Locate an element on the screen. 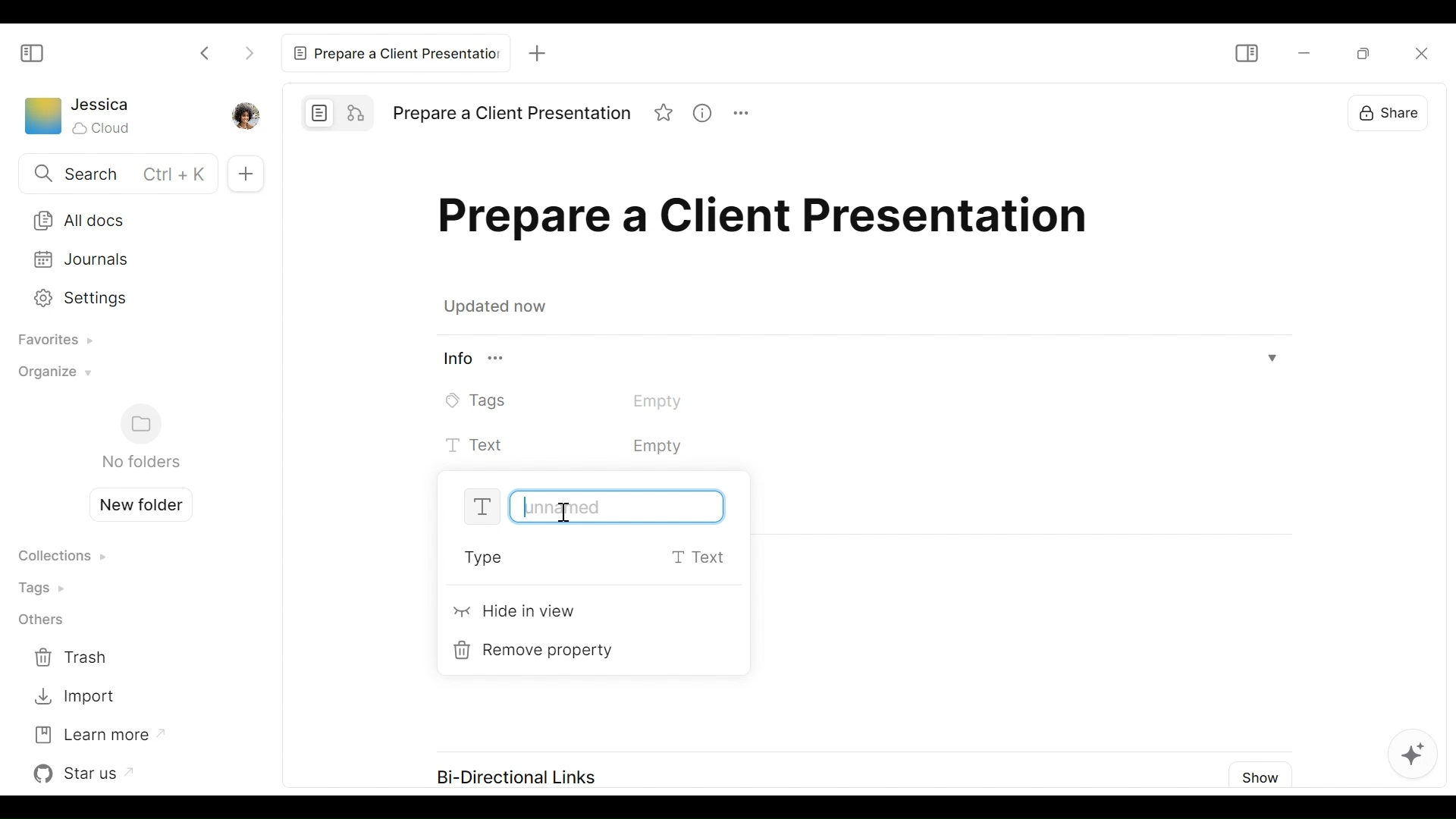 The height and width of the screenshot is (819, 1456). Bi-Directional Links is located at coordinates (516, 777).